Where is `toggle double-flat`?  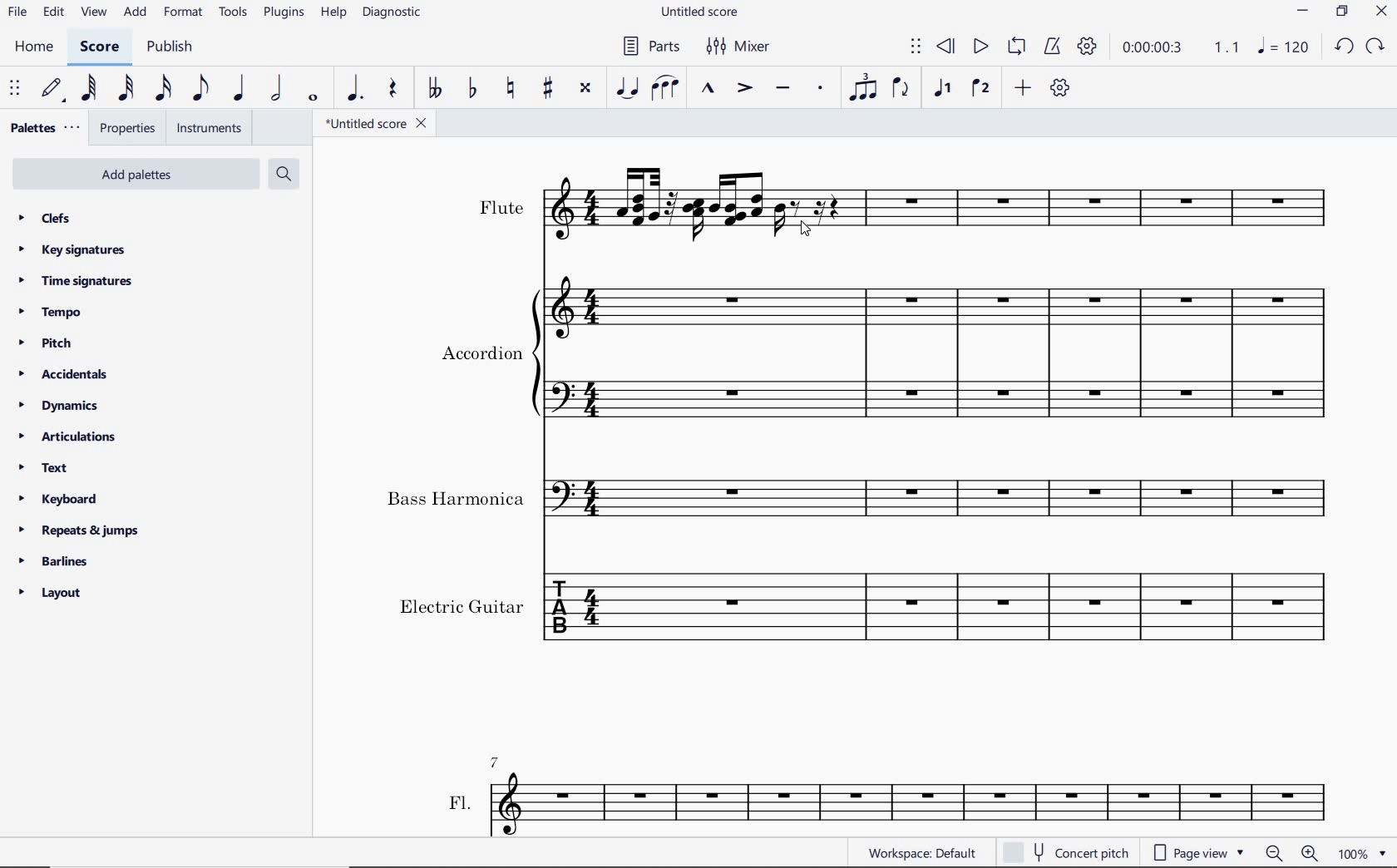 toggle double-flat is located at coordinates (434, 89).